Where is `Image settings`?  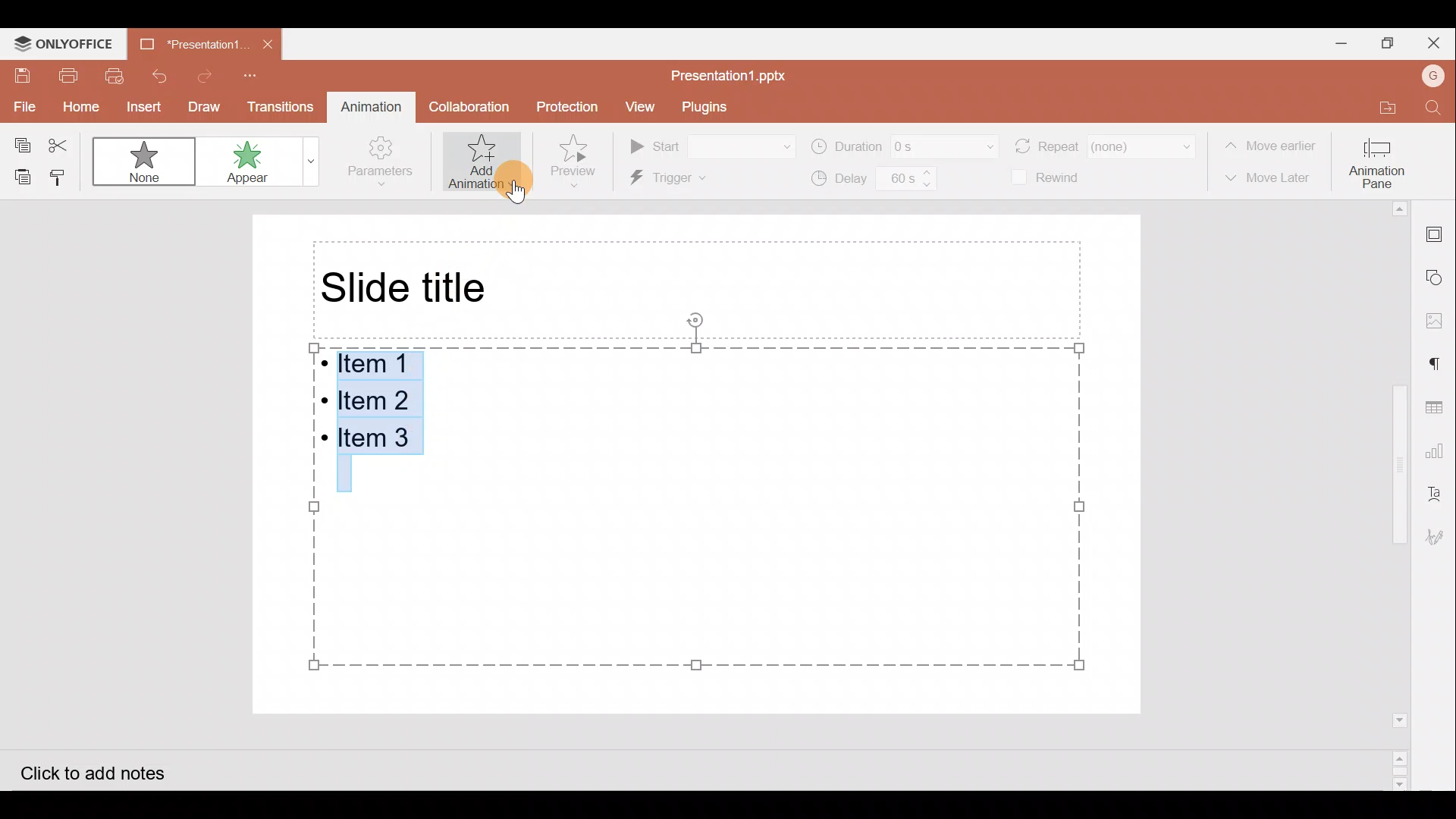 Image settings is located at coordinates (1442, 320).